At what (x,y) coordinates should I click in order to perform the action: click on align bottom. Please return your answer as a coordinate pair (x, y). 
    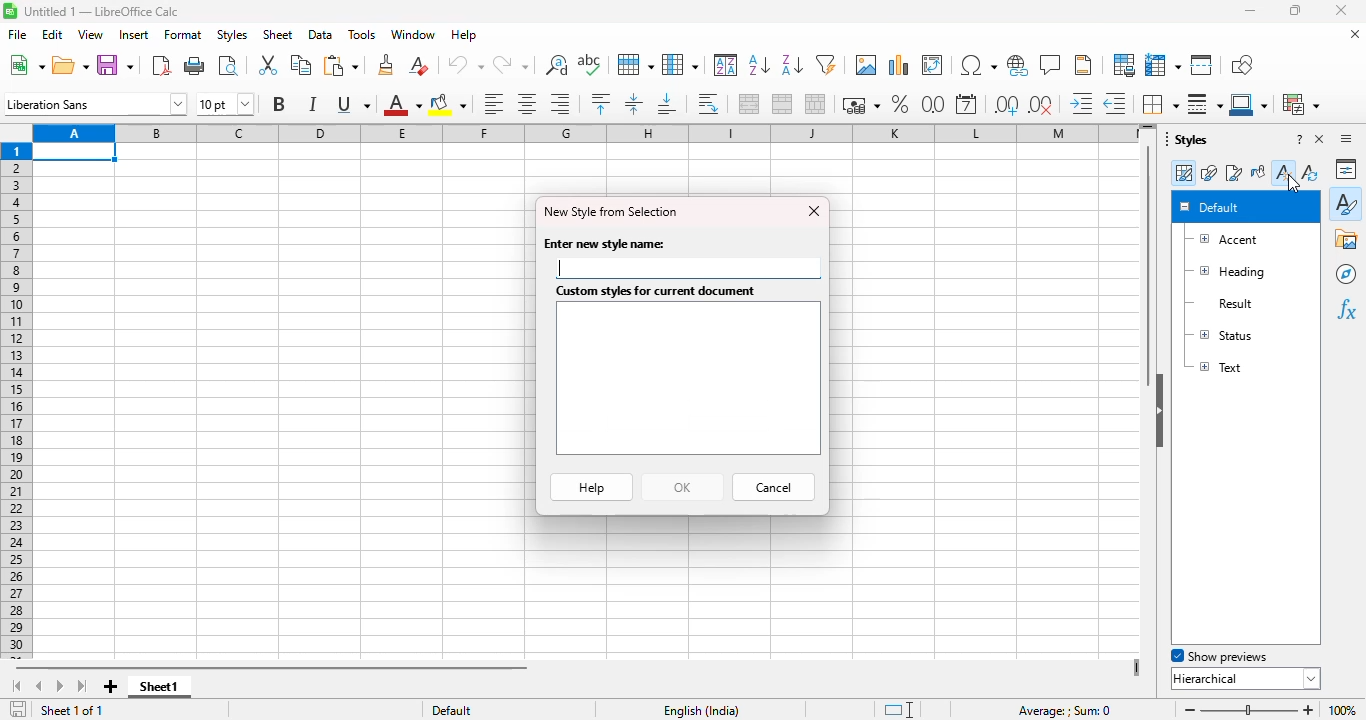
    Looking at the image, I should click on (665, 104).